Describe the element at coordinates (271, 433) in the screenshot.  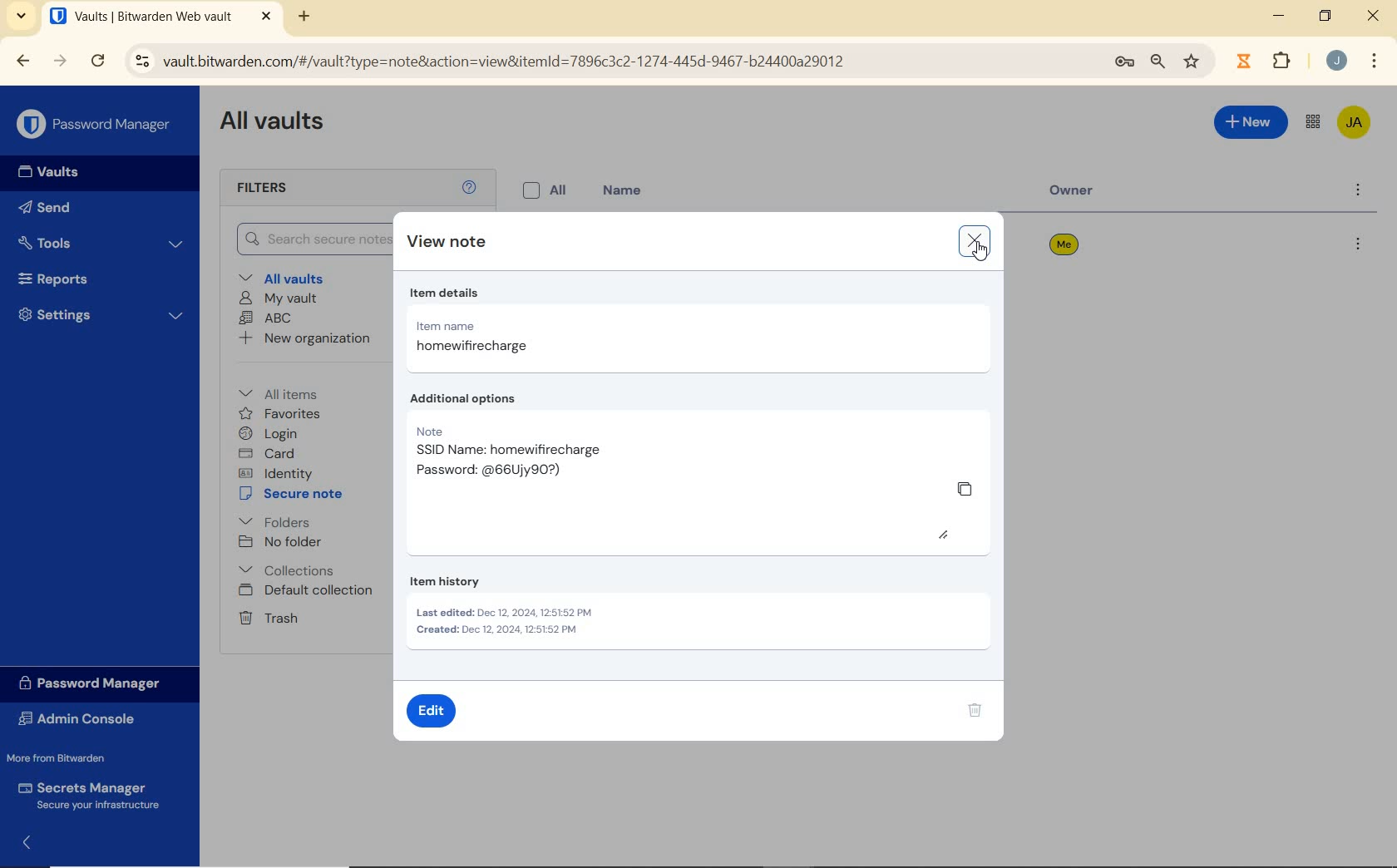
I see `login` at that location.